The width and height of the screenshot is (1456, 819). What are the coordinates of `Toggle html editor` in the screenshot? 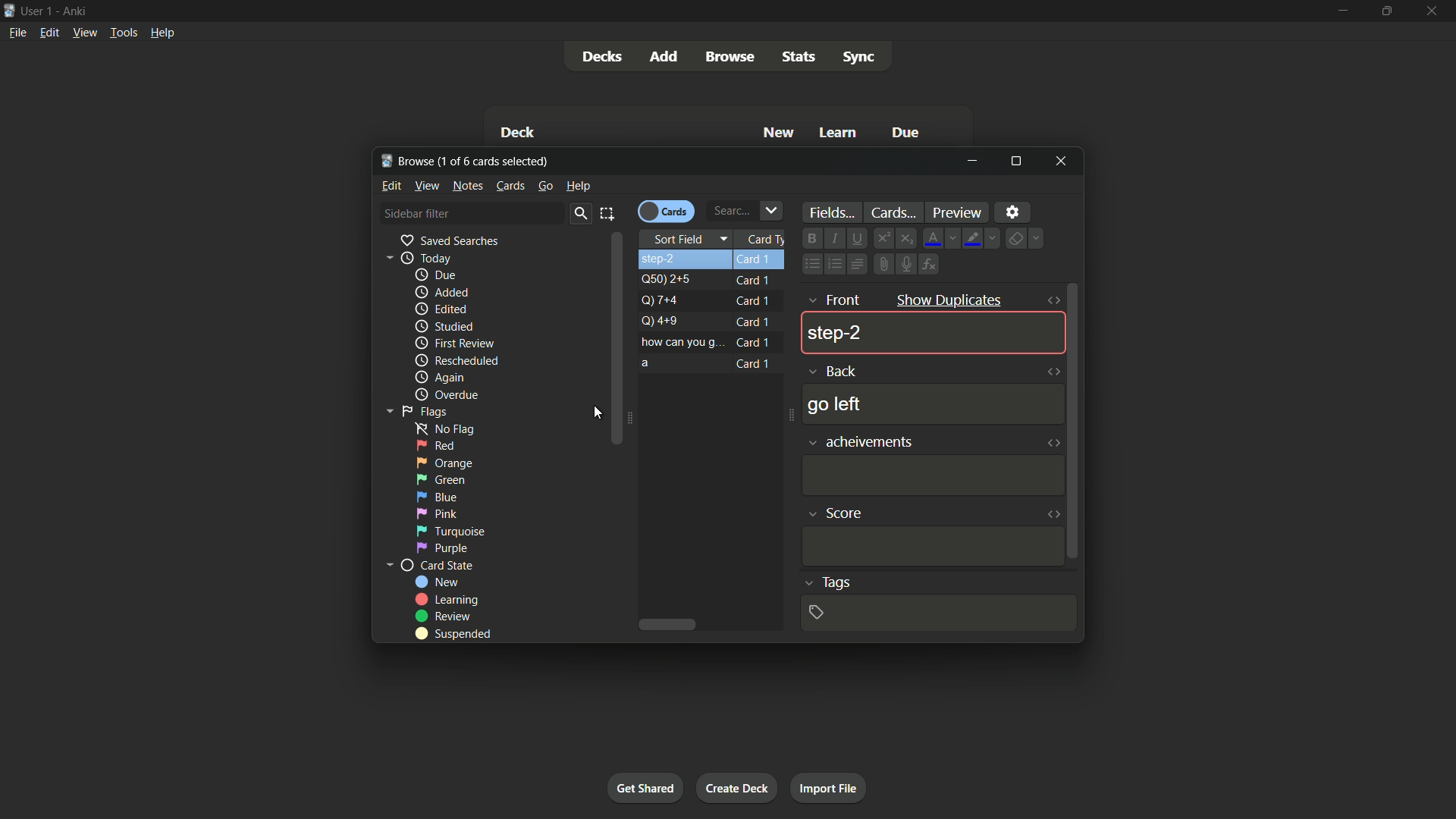 It's located at (1053, 374).